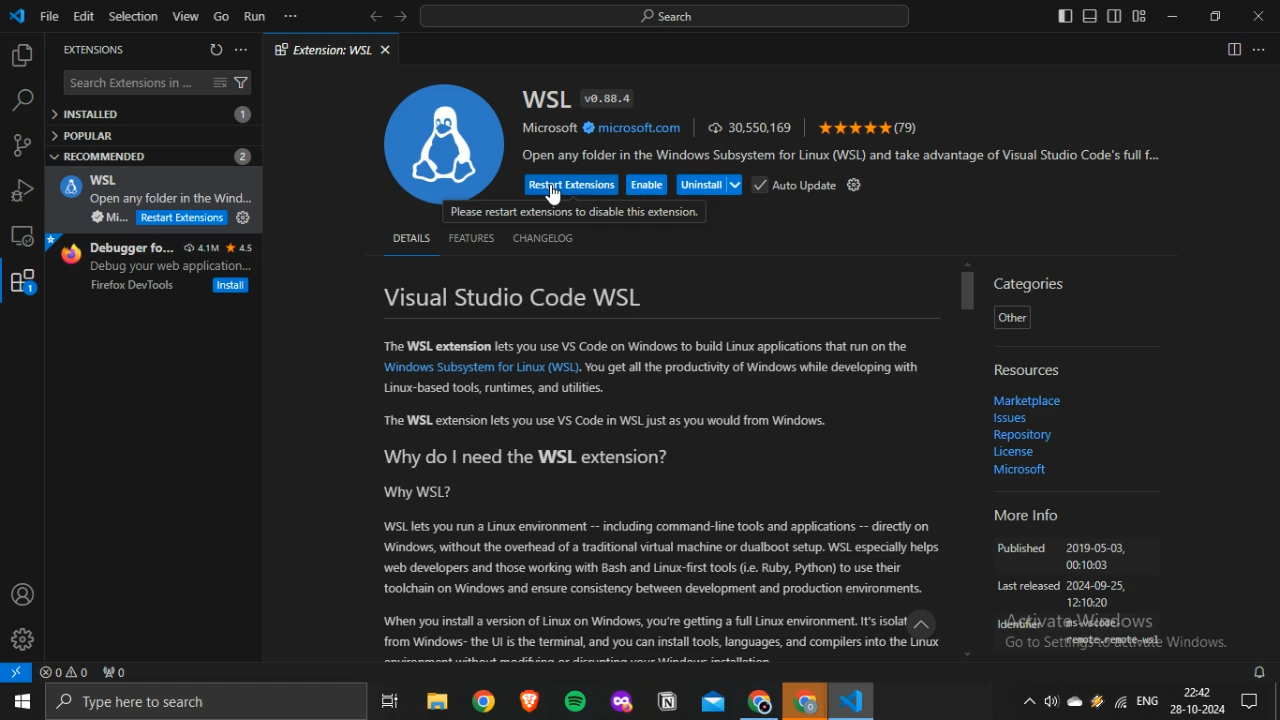  What do you see at coordinates (23, 594) in the screenshot?
I see `accounts` at bounding box center [23, 594].